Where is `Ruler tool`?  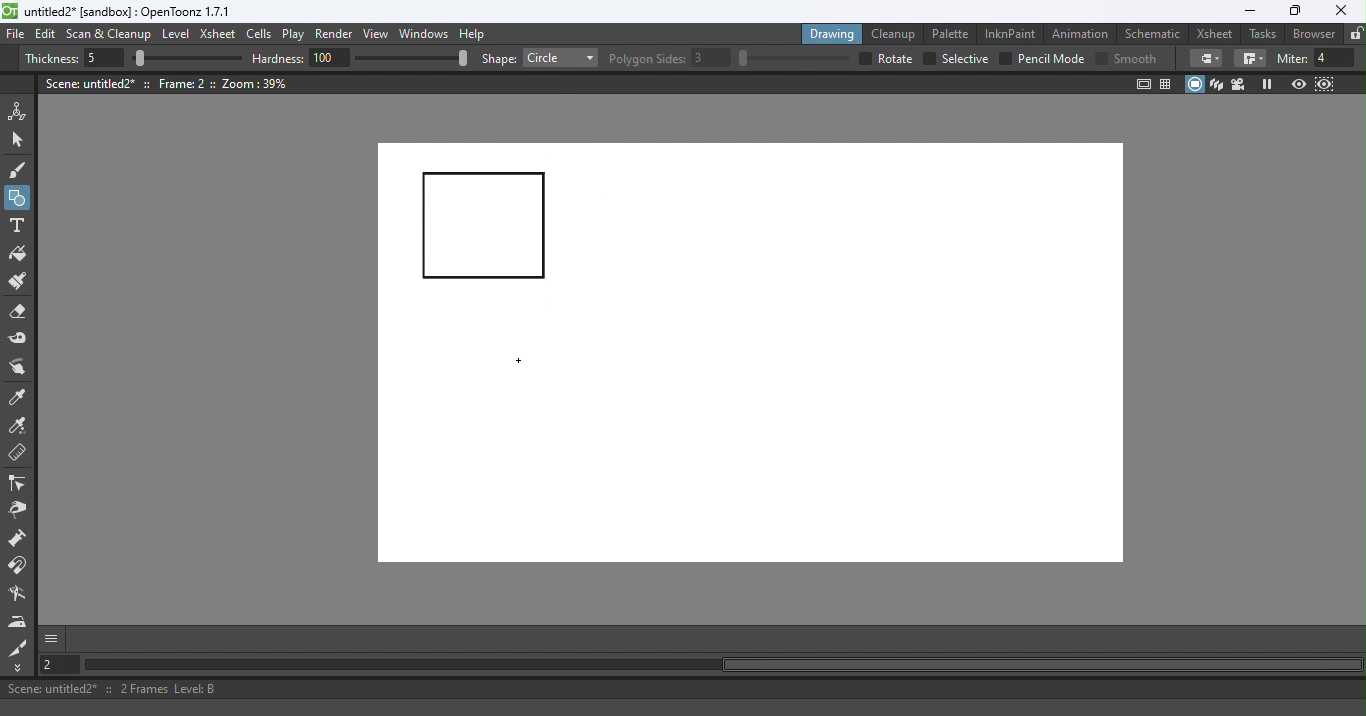
Ruler tool is located at coordinates (18, 455).